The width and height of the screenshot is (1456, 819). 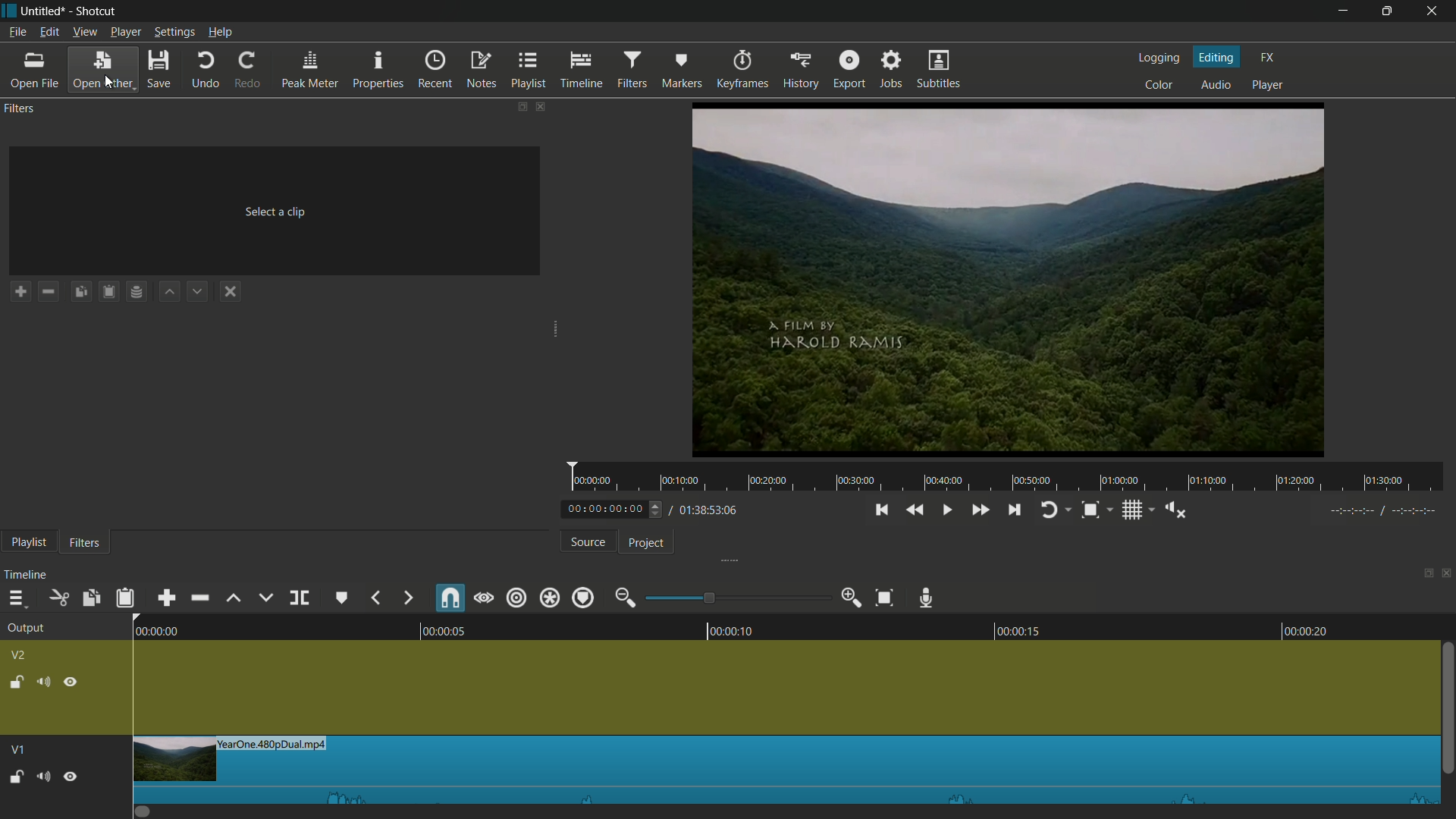 I want to click on open file, so click(x=33, y=71).